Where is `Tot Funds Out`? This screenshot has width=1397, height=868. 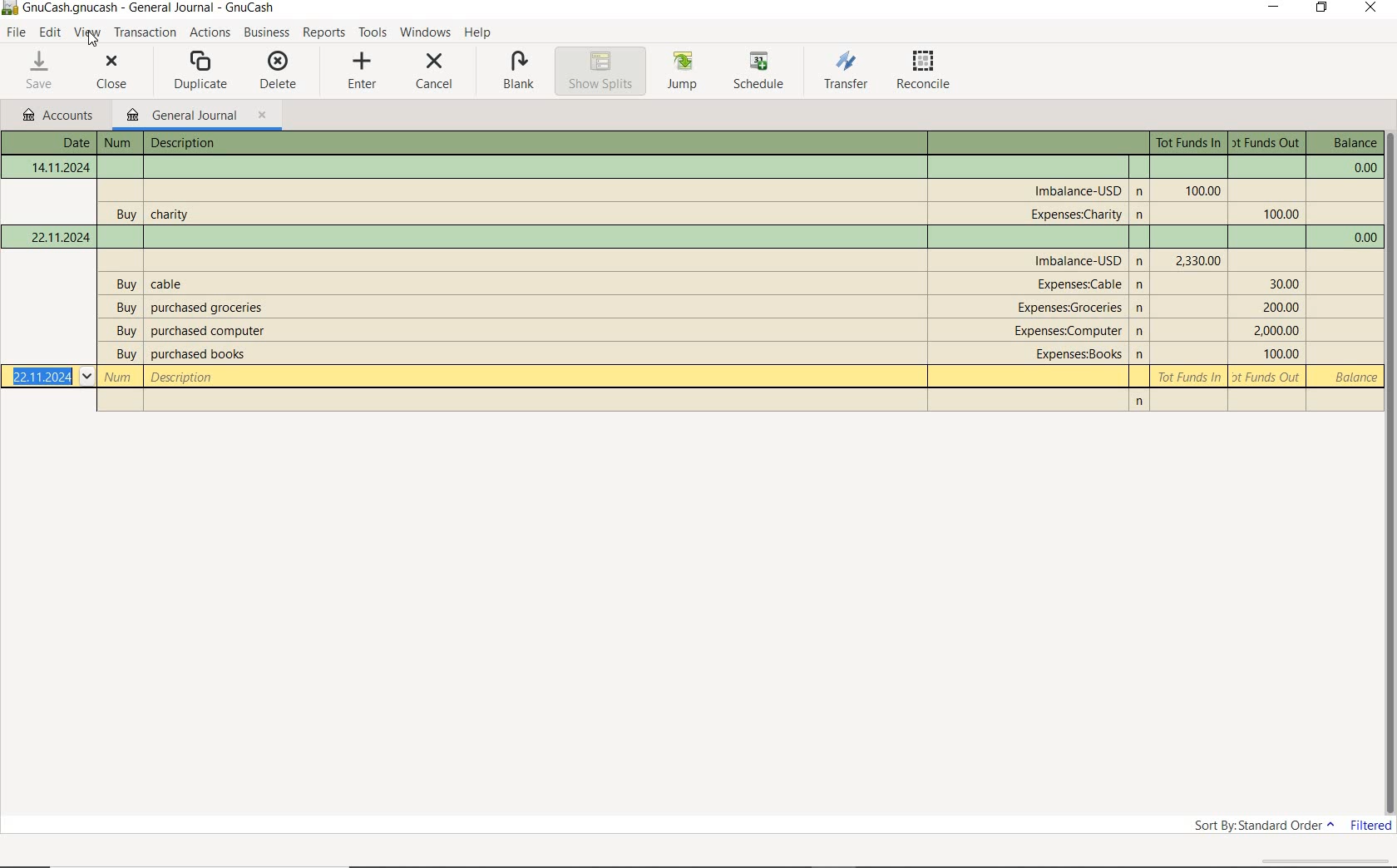
Tot Funds Out is located at coordinates (1268, 377).